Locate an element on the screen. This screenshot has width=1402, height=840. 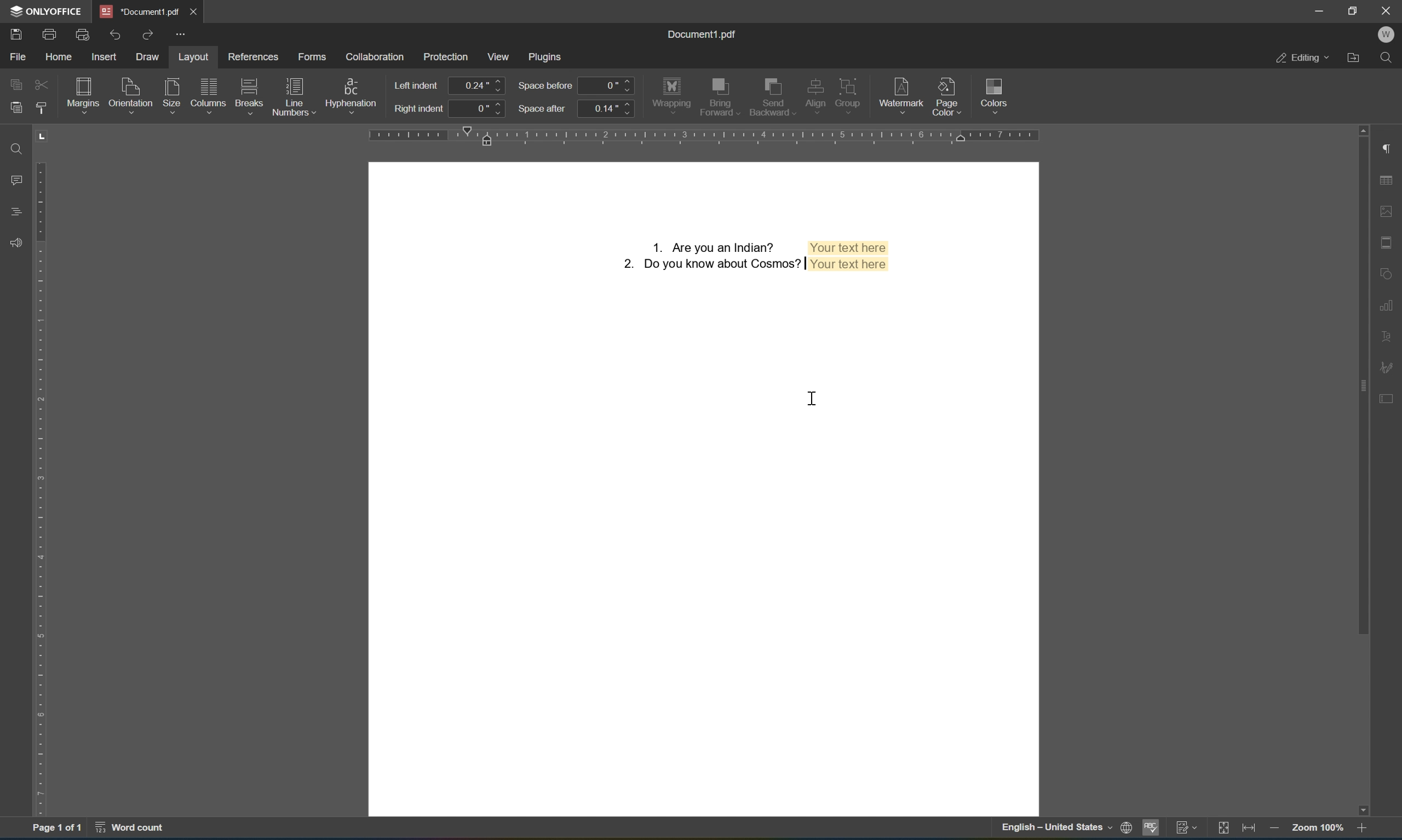
breaks is located at coordinates (249, 96).